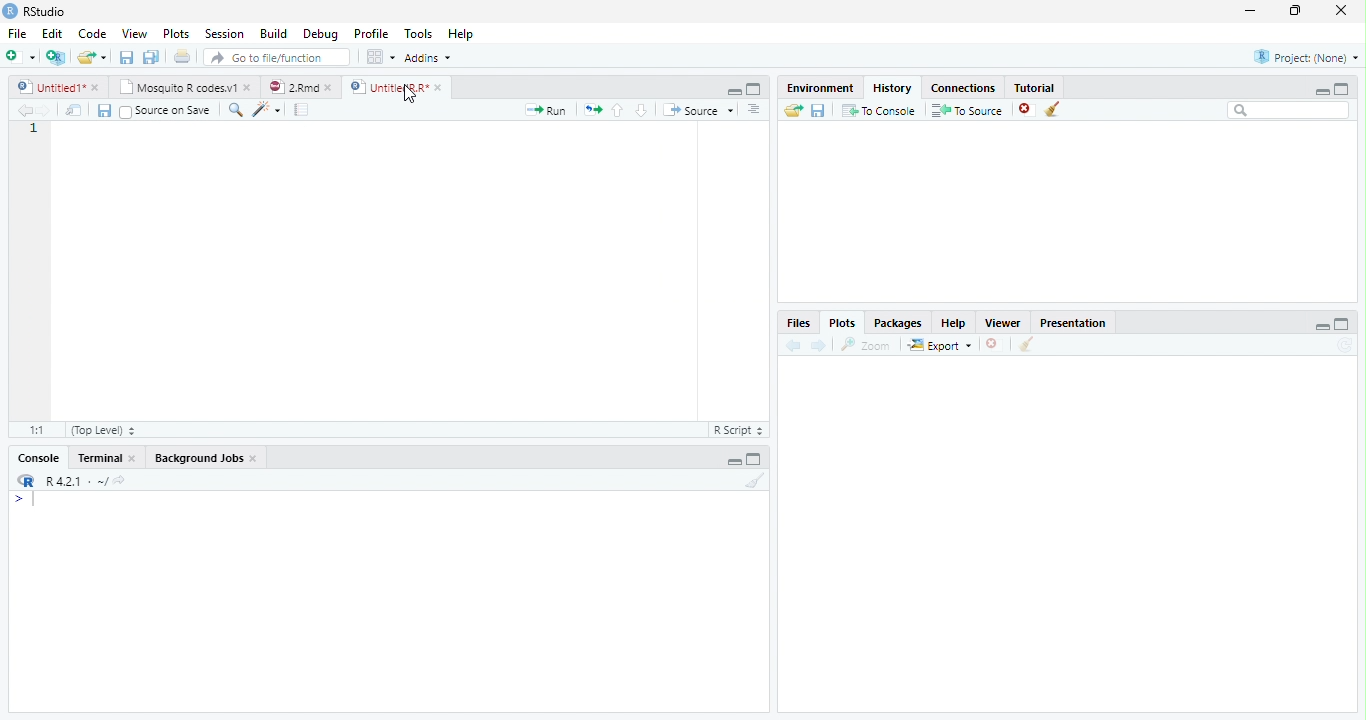 This screenshot has height=720, width=1366. I want to click on Zoom, so click(866, 345).